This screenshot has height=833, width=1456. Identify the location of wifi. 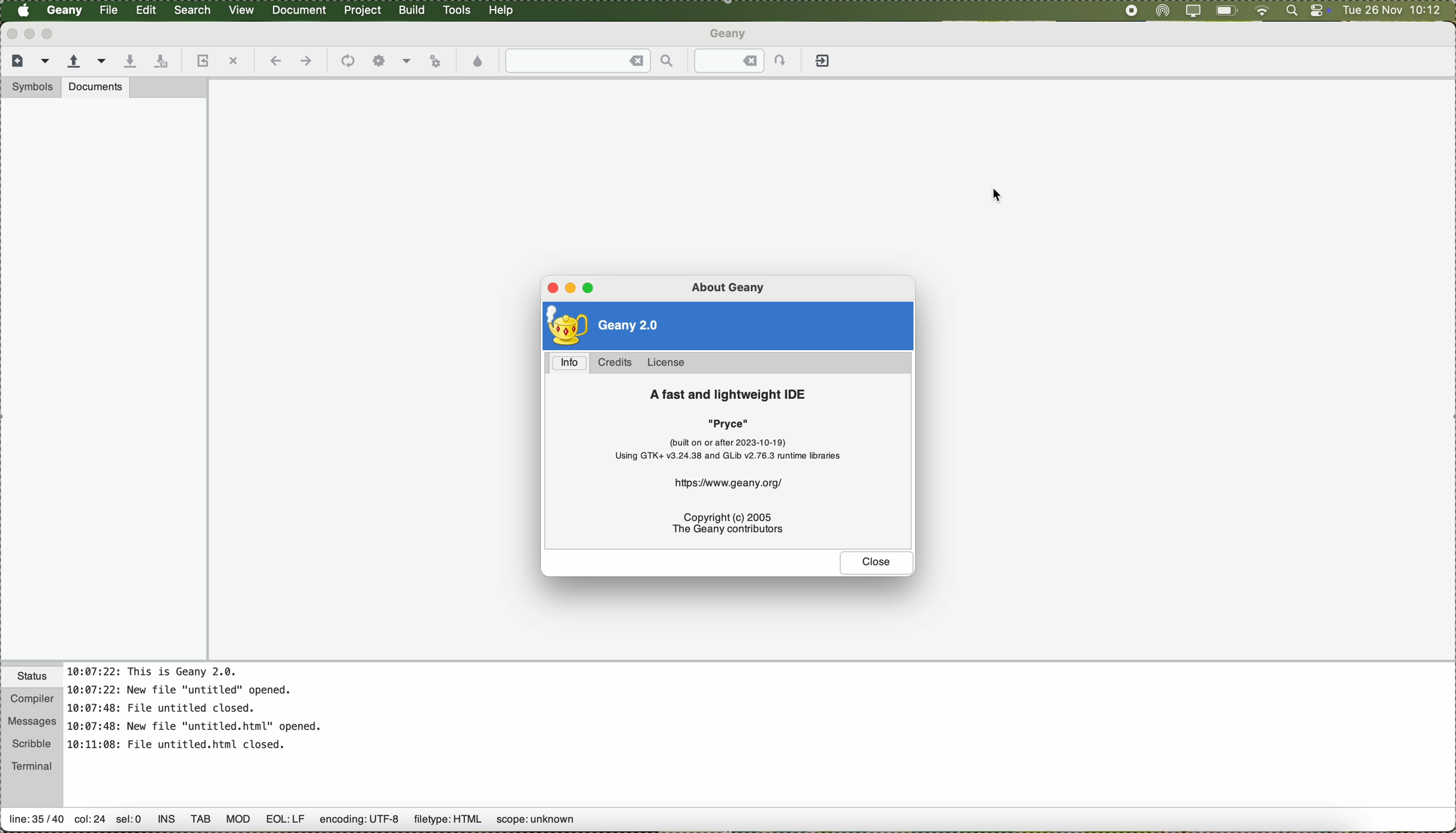
(1259, 11).